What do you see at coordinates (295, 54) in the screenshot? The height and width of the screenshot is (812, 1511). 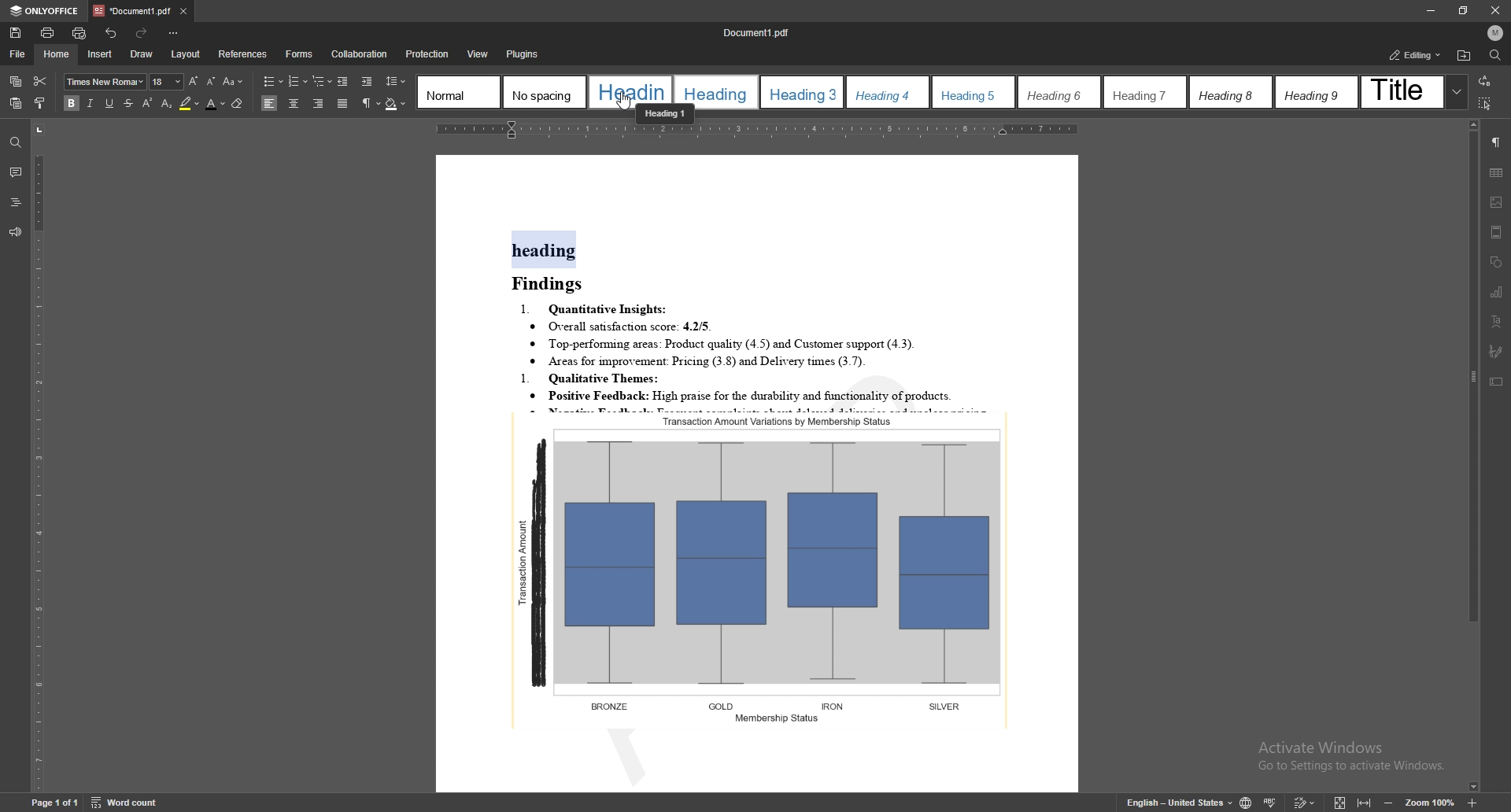 I see `Forms` at bounding box center [295, 54].